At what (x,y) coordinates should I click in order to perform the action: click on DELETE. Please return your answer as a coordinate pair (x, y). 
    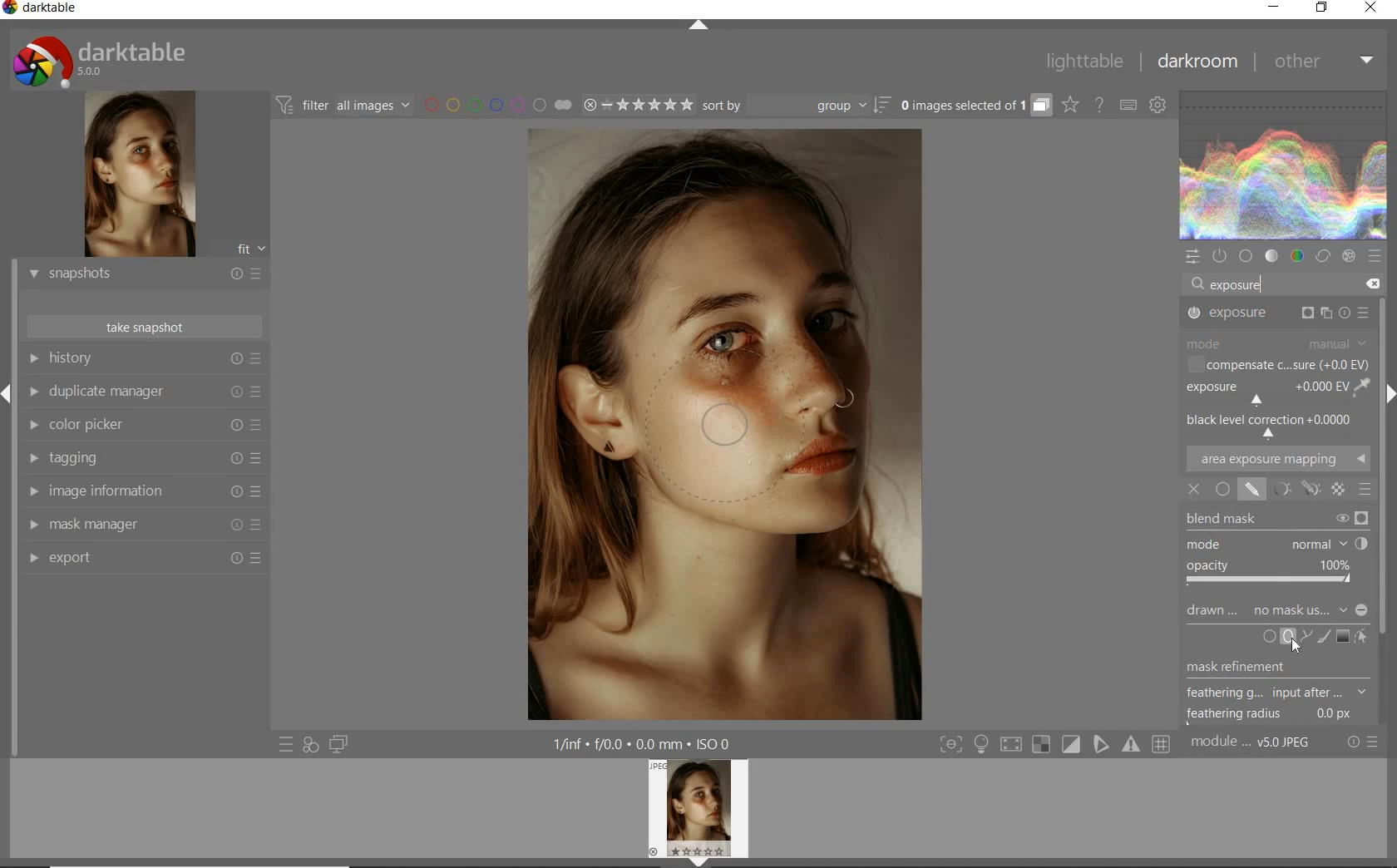
    Looking at the image, I should click on (1371, 282).